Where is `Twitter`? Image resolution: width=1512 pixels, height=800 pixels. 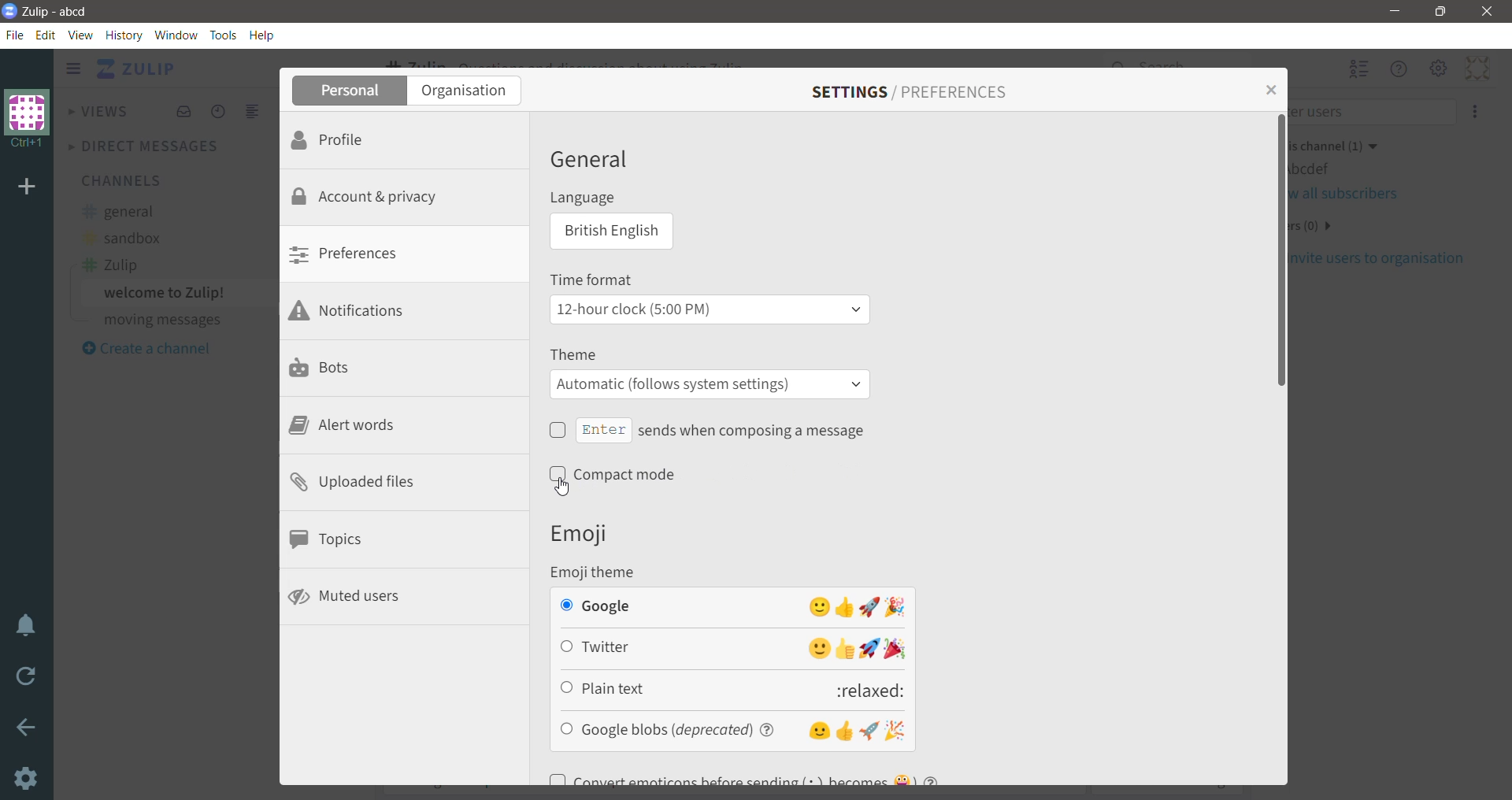
Twitter is located at coordinates (733, 650).